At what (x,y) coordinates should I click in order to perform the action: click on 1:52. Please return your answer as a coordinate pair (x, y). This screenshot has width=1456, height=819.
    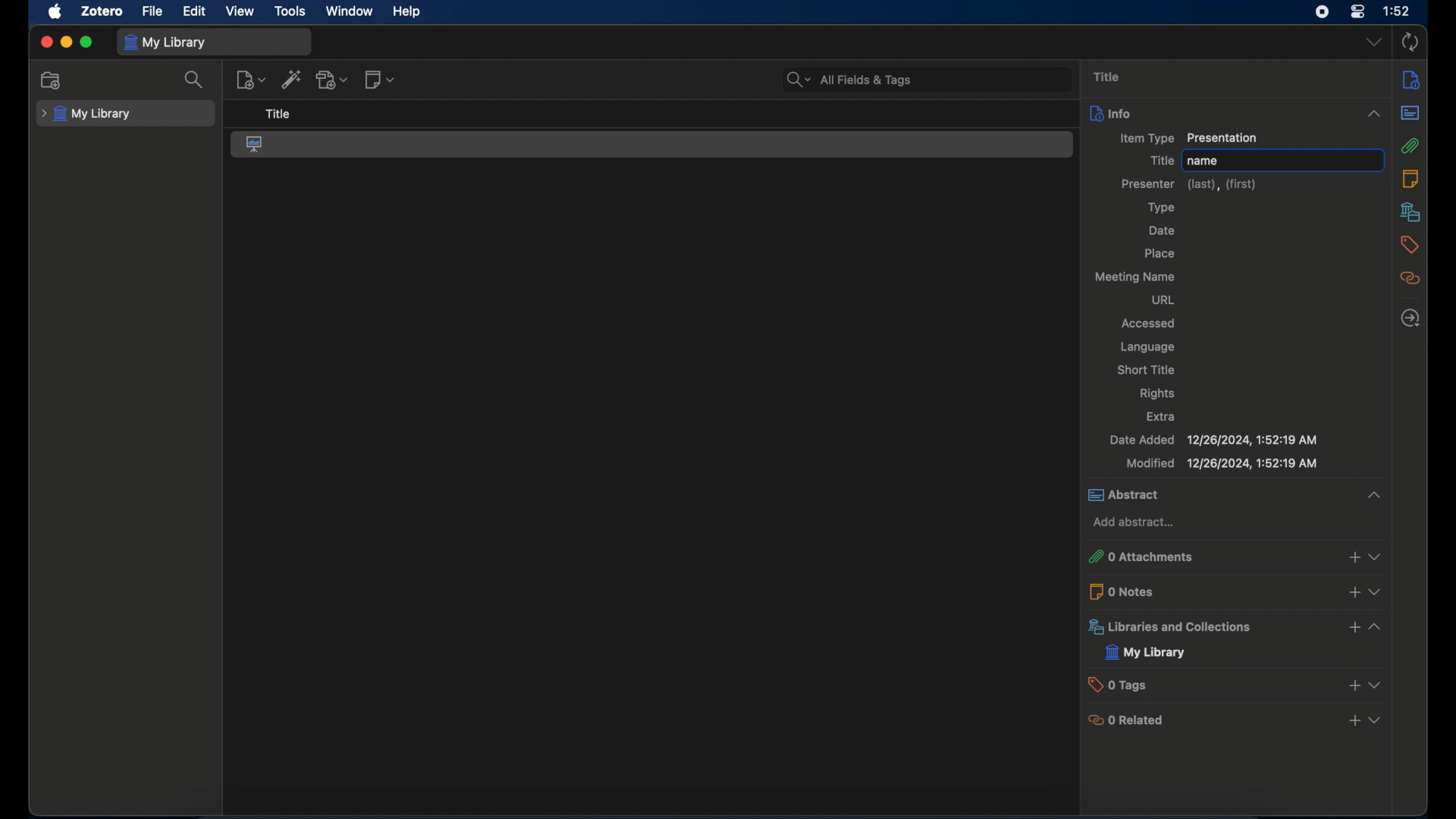
    Looking at the image, I should click on (1398, 11).